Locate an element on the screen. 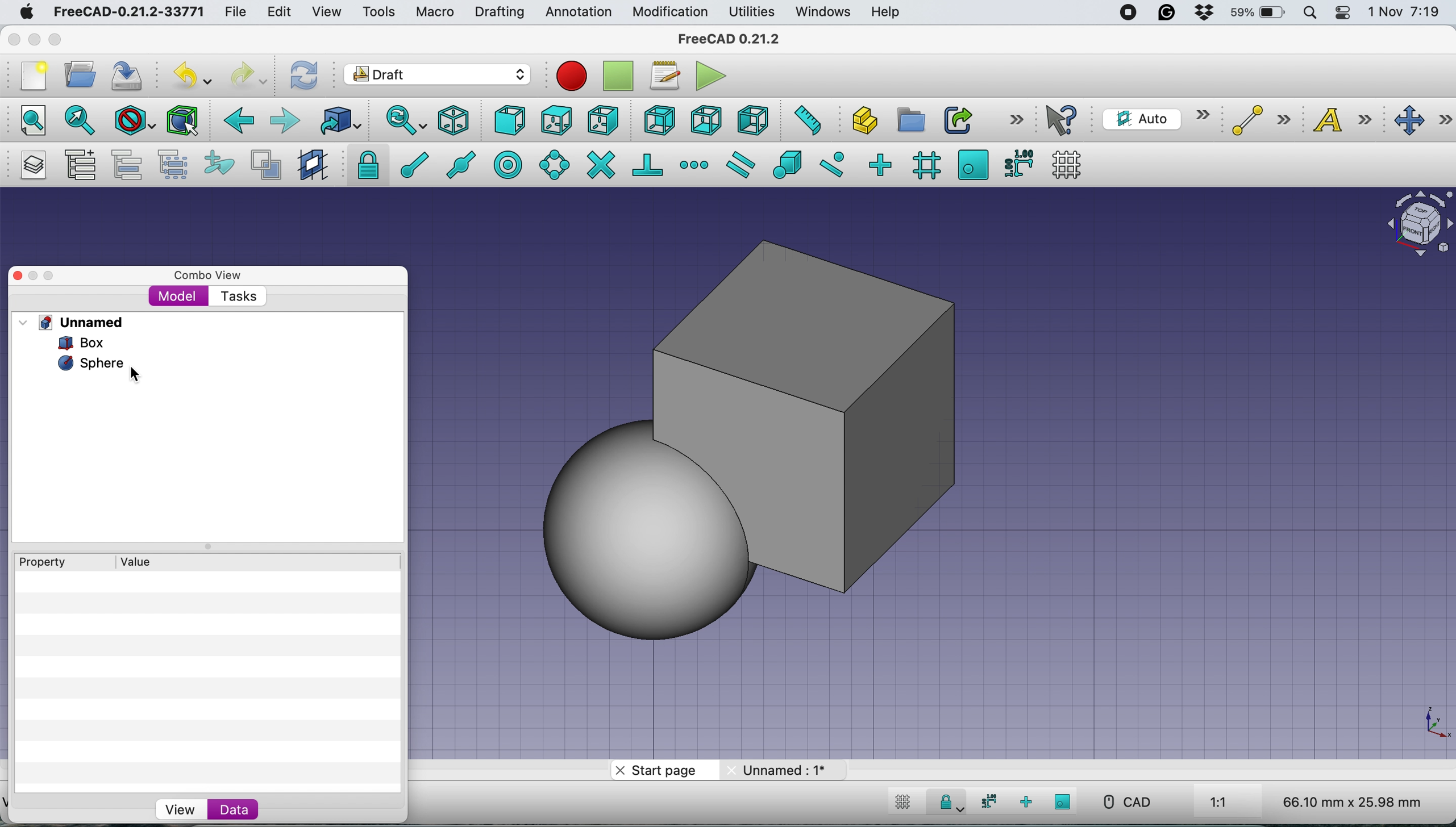  add a new named group is located at coordinates (80, 167).